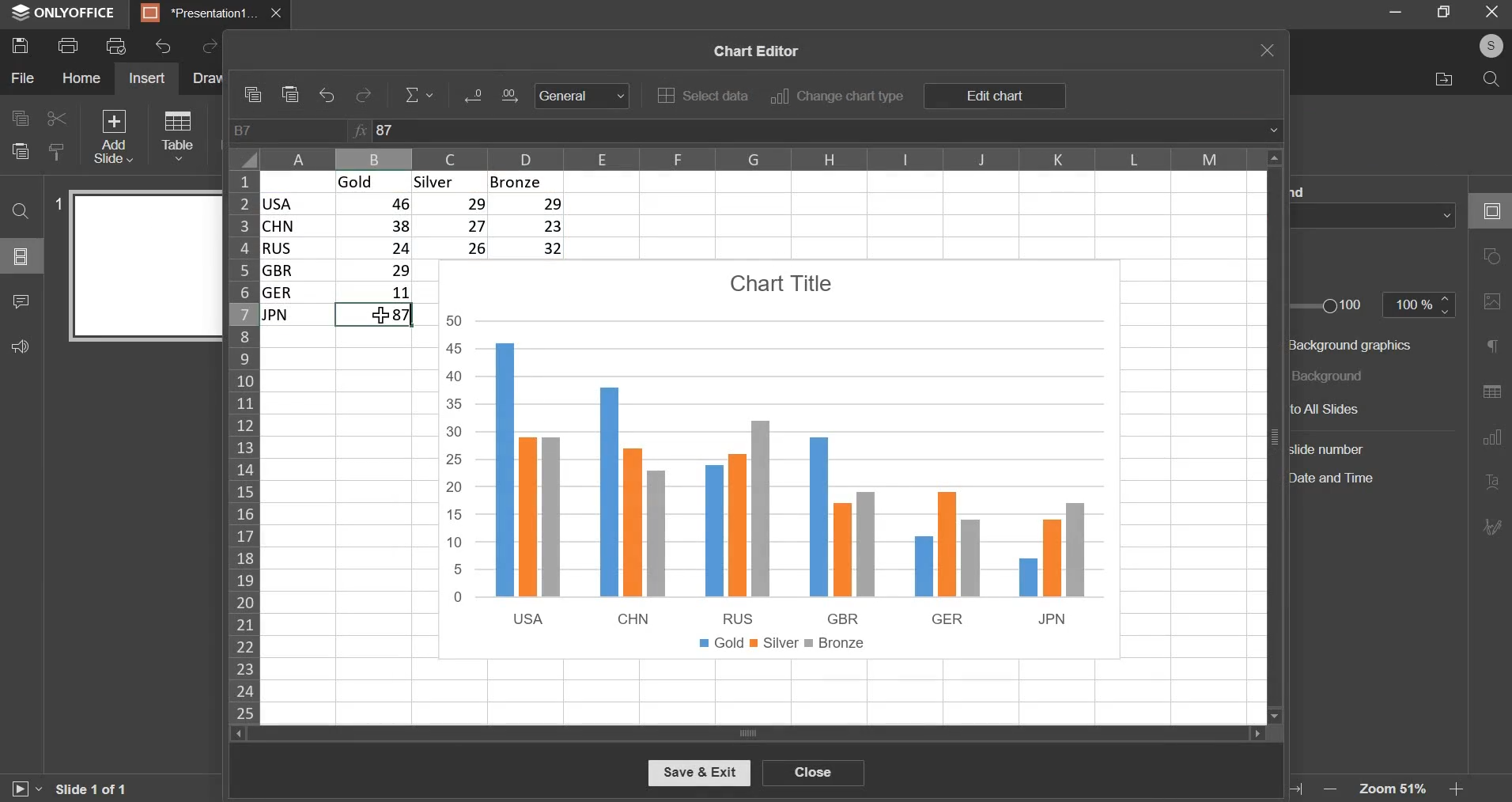 The image size is (1512, 802). What do you see at coordinates (164, 47) in the screenshot?
I see `undo` at bounding box center [164, 47].